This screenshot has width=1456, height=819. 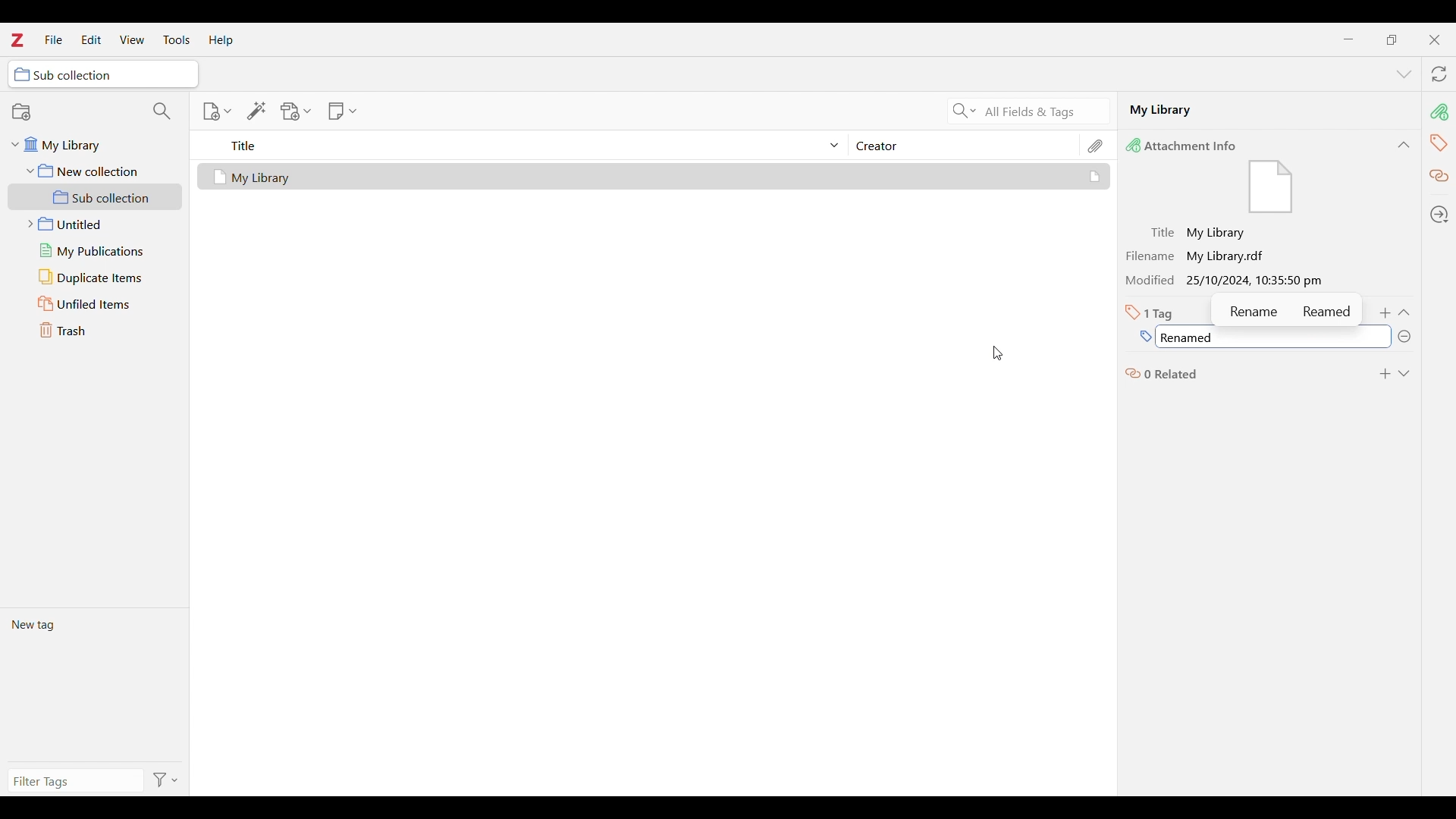 What do you see at coordinates (1404, 145) in the screenshot?
I see `Collapse` at bounding box center [1404, 145].